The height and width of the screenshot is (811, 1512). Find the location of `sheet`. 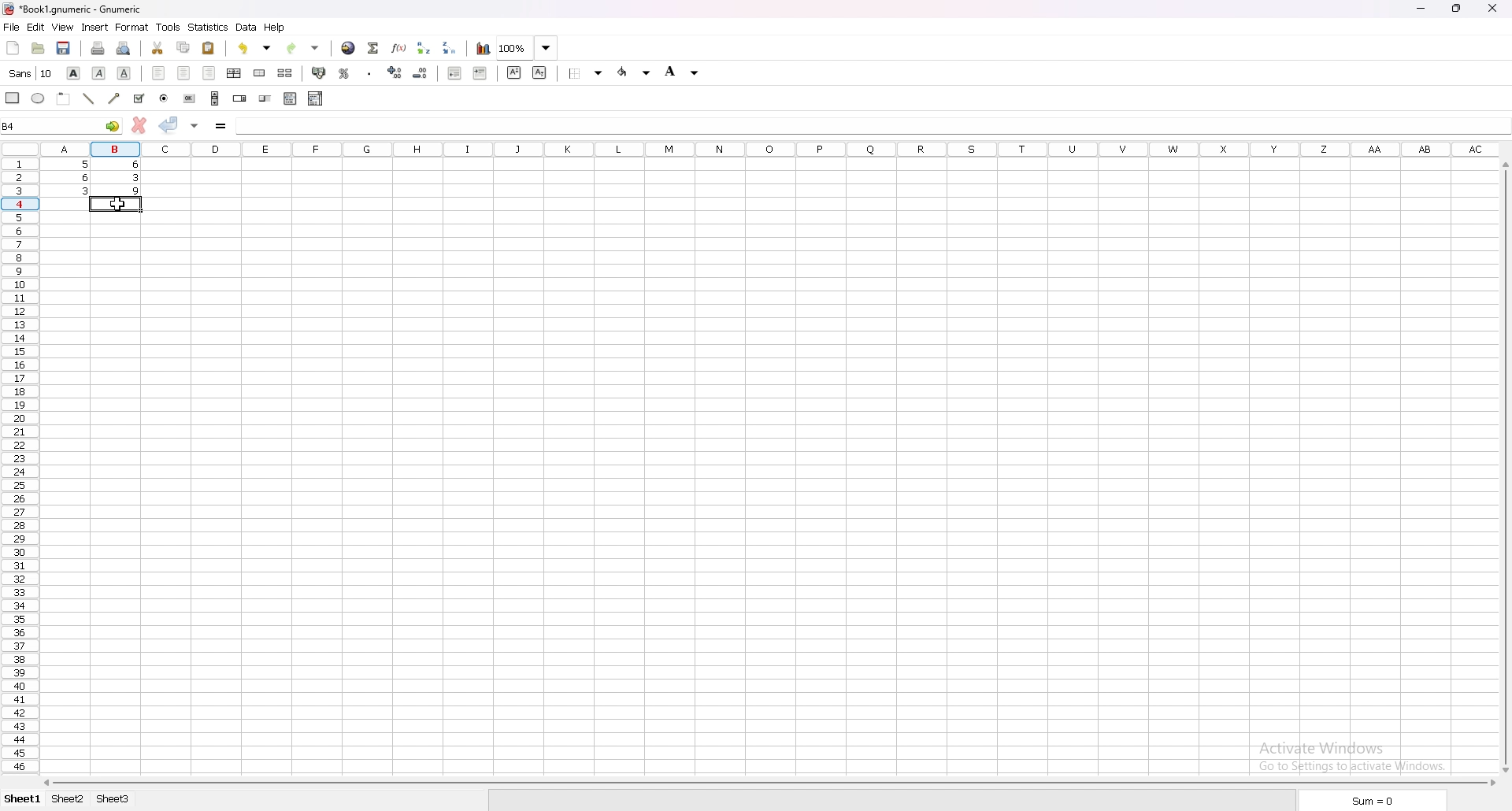

sheet is located at coordinates (24, 798).